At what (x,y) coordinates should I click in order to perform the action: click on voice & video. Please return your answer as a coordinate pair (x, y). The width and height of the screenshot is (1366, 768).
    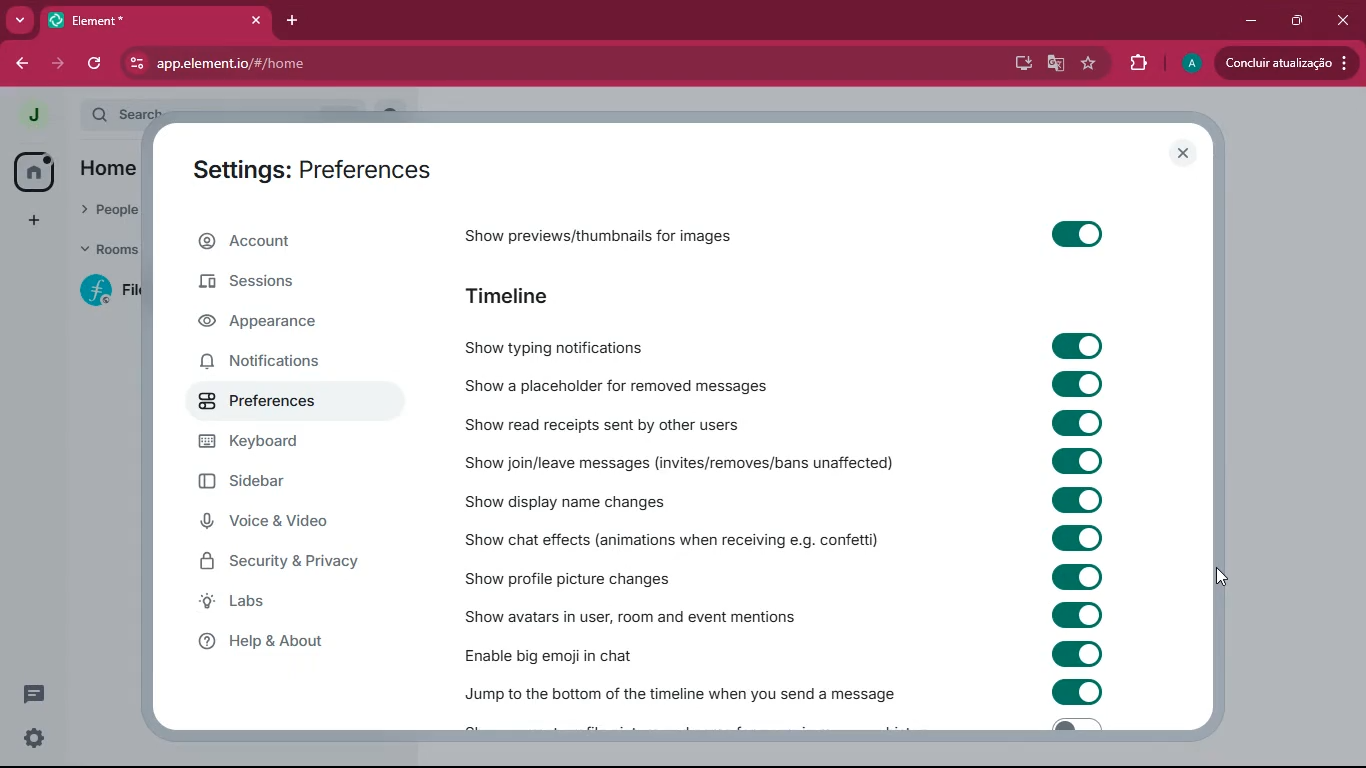
    Looking at the image, I should click on (287, 523).